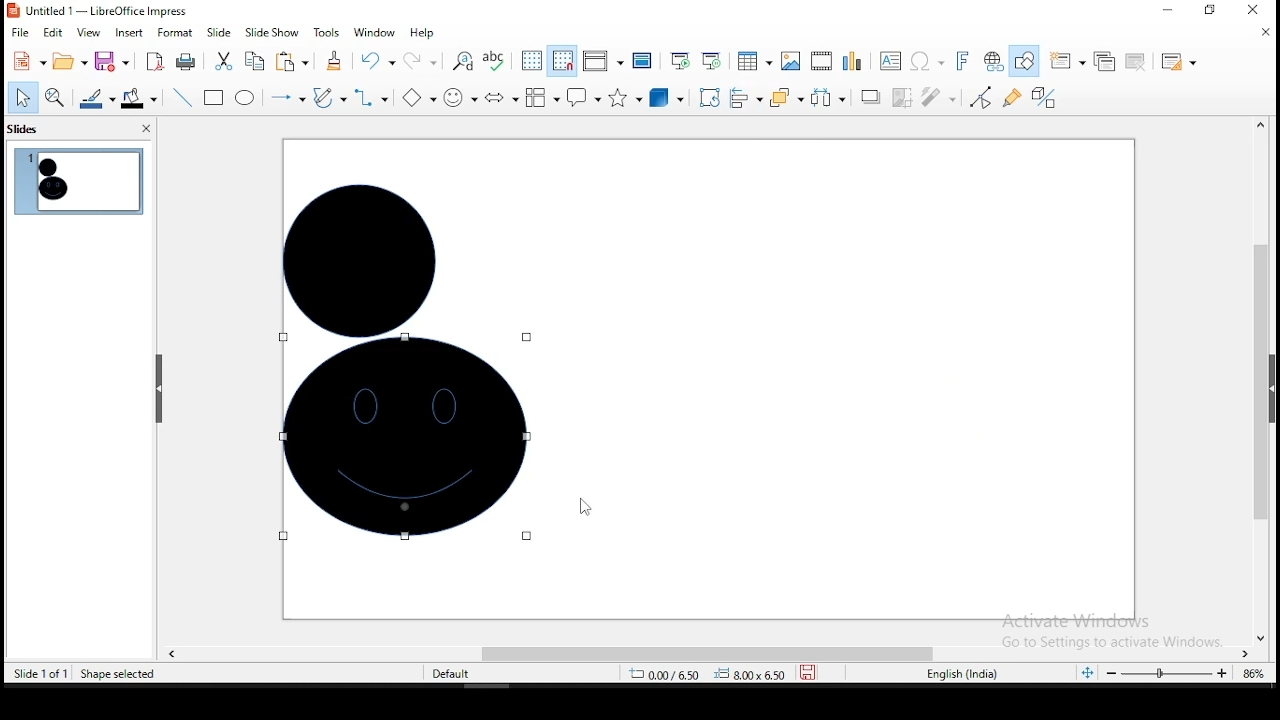 The image size is (1280, 720). I want to click on redo, so click(422, 61).